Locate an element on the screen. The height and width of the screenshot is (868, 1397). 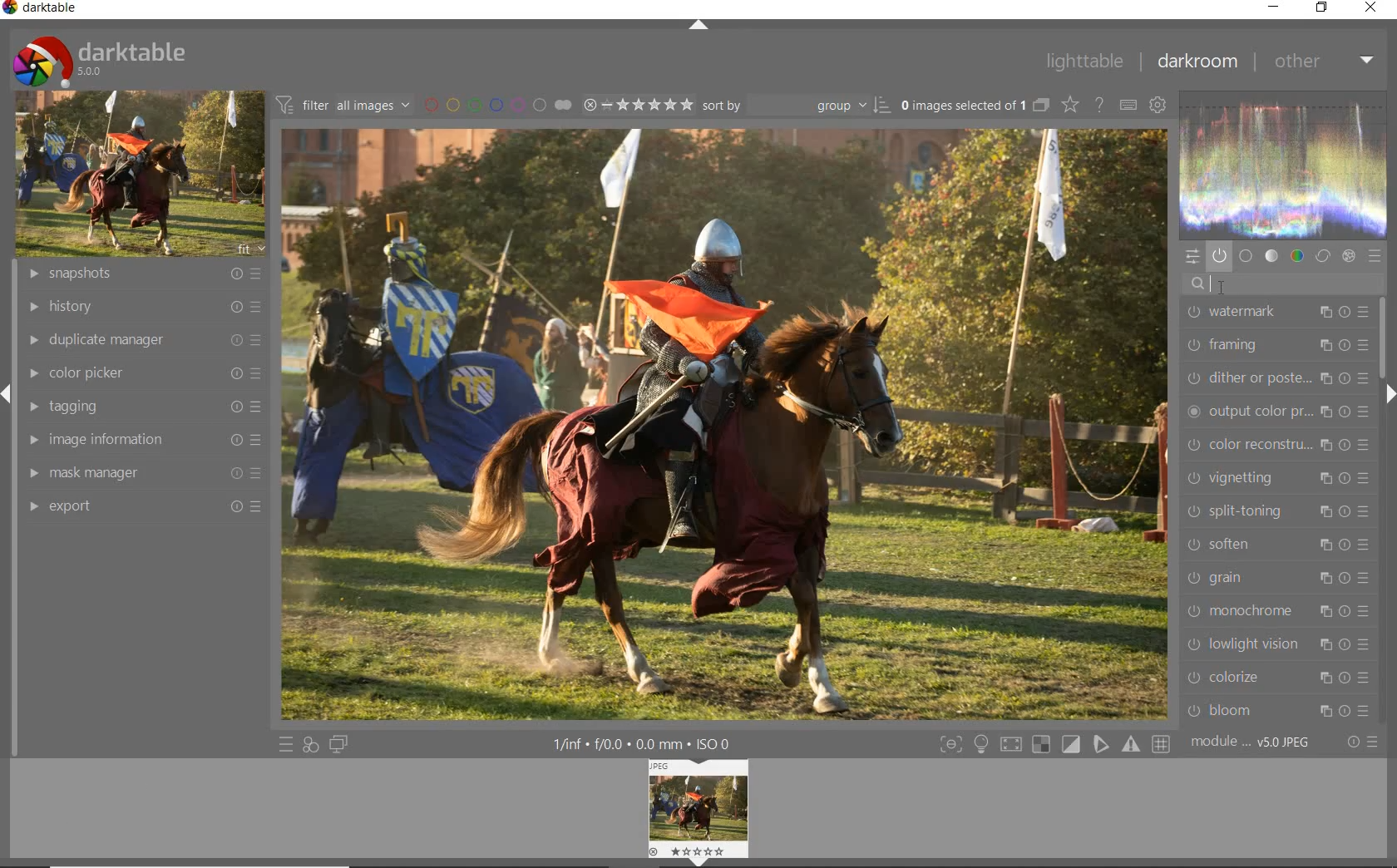
1/fnf f/0.0 0.0 mm ISO 0 is located at coordinates (649, 743).